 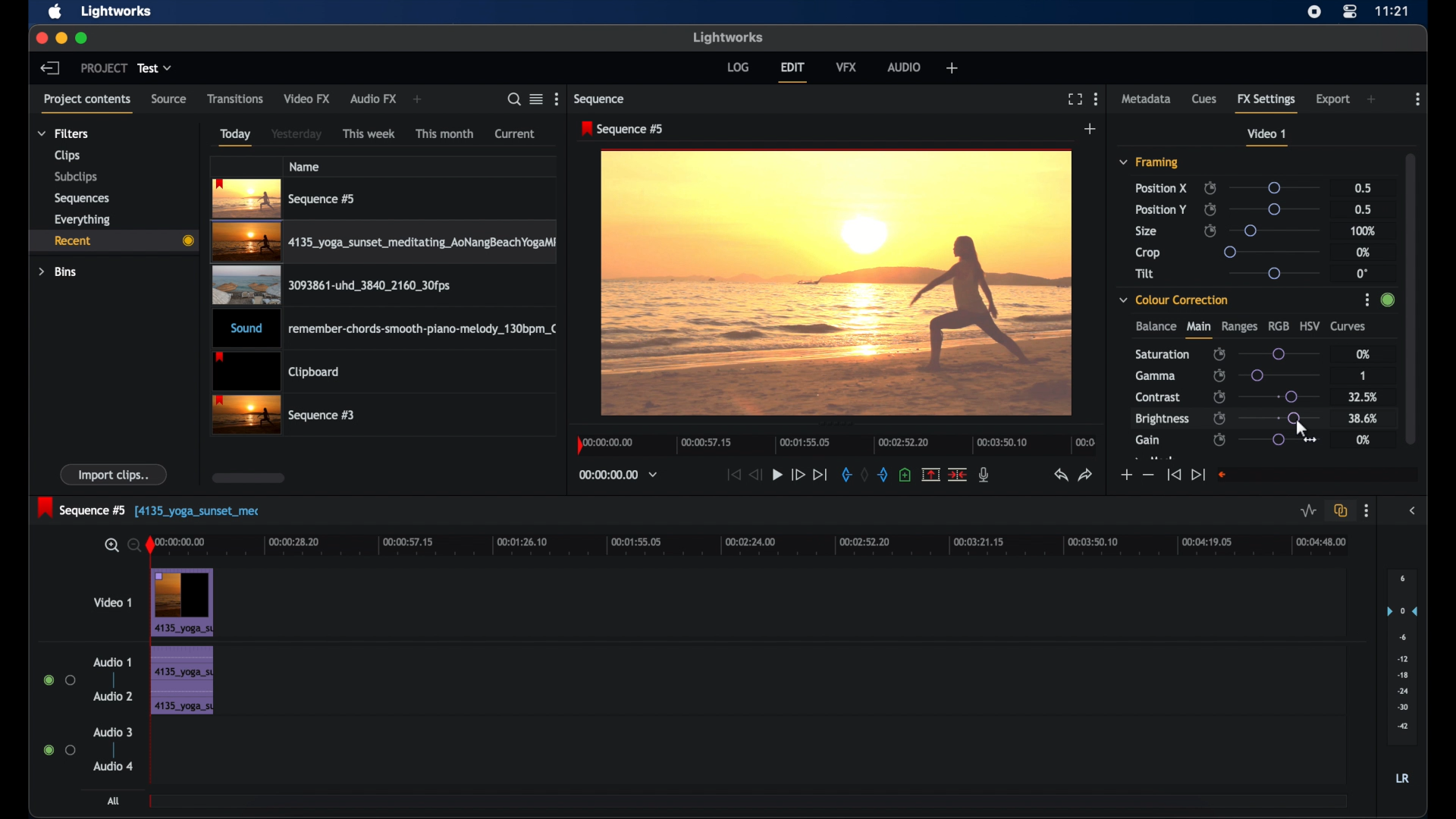 I want to click on more options, so click(x=559, y=99).